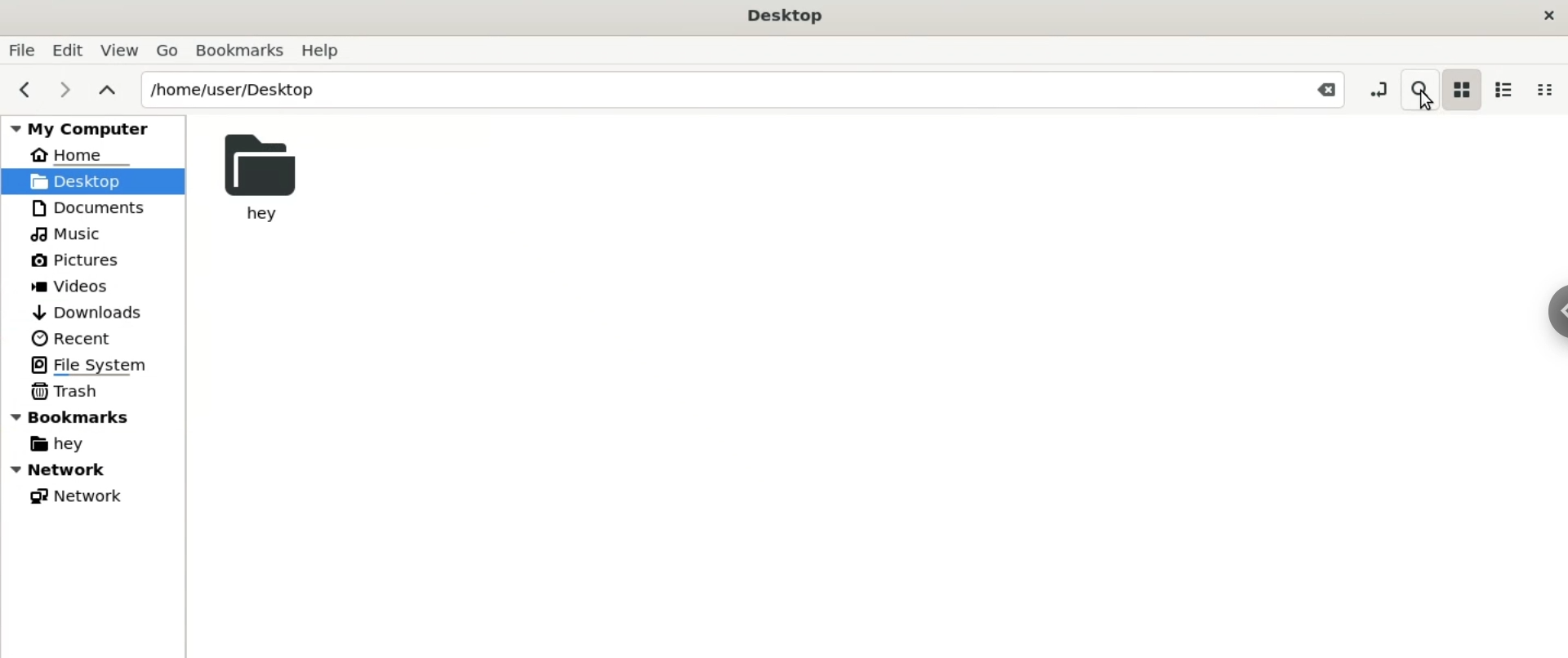 Image resolution: width=1568 pixels, height=658 pixels. Describe the element at coordinates (324, 49) in the screenshot. I see `Help` at that location.